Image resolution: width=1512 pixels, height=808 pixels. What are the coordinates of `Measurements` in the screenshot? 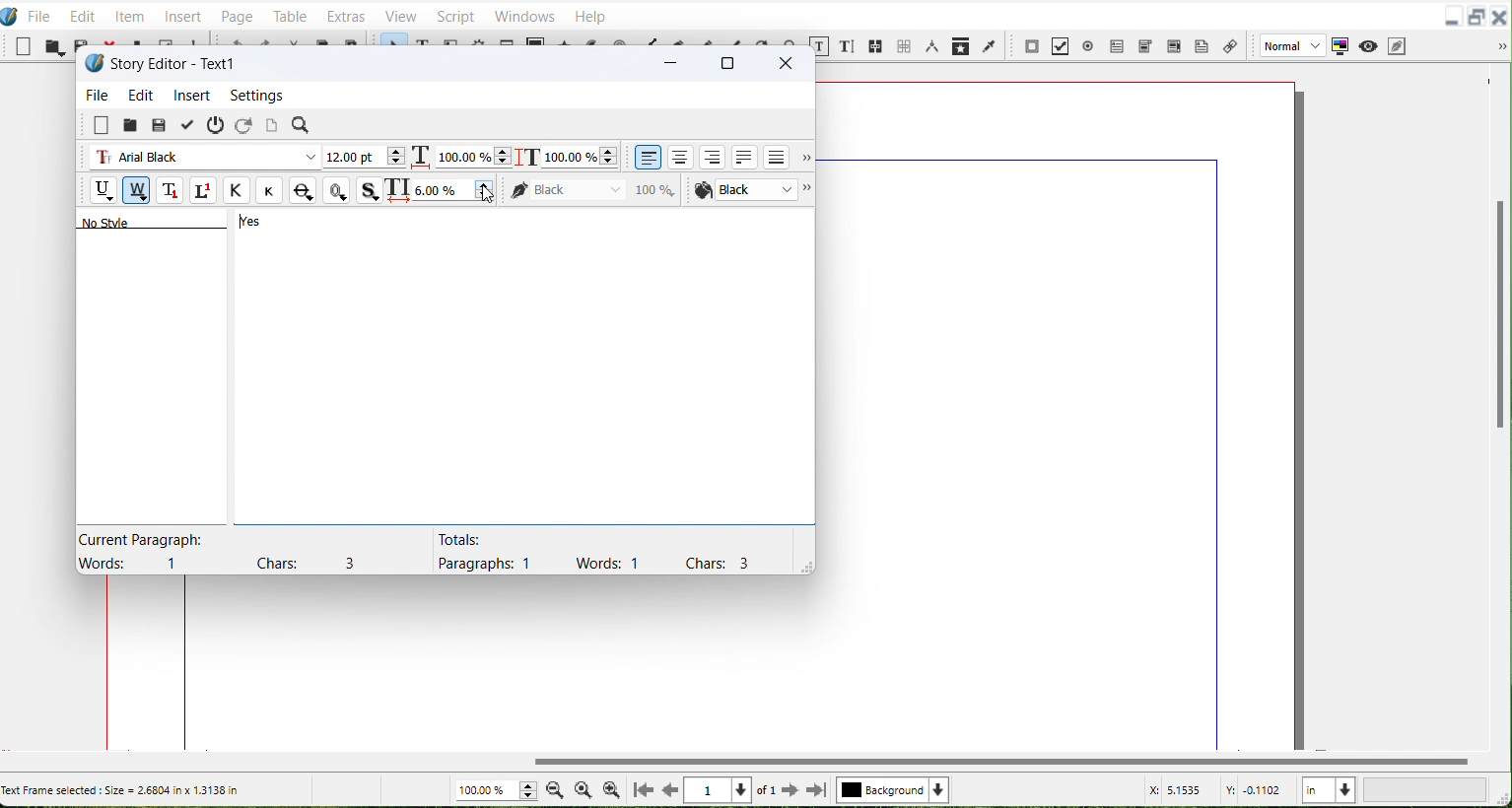 It's located at (933, 46).